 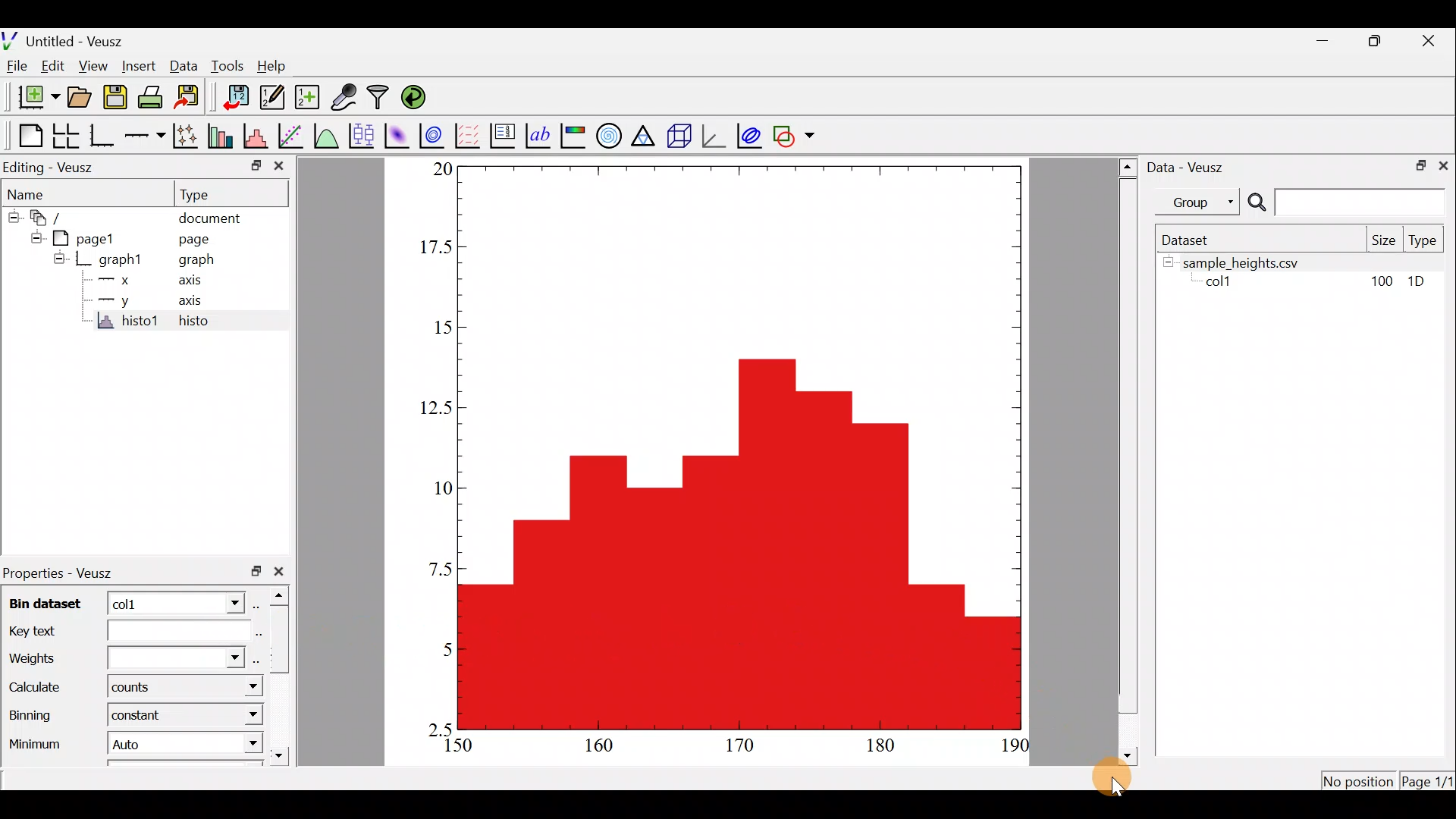 What do you see at coordinates (433, 485) in the screenshot?
I see `10` at bounding box center [433, 485].